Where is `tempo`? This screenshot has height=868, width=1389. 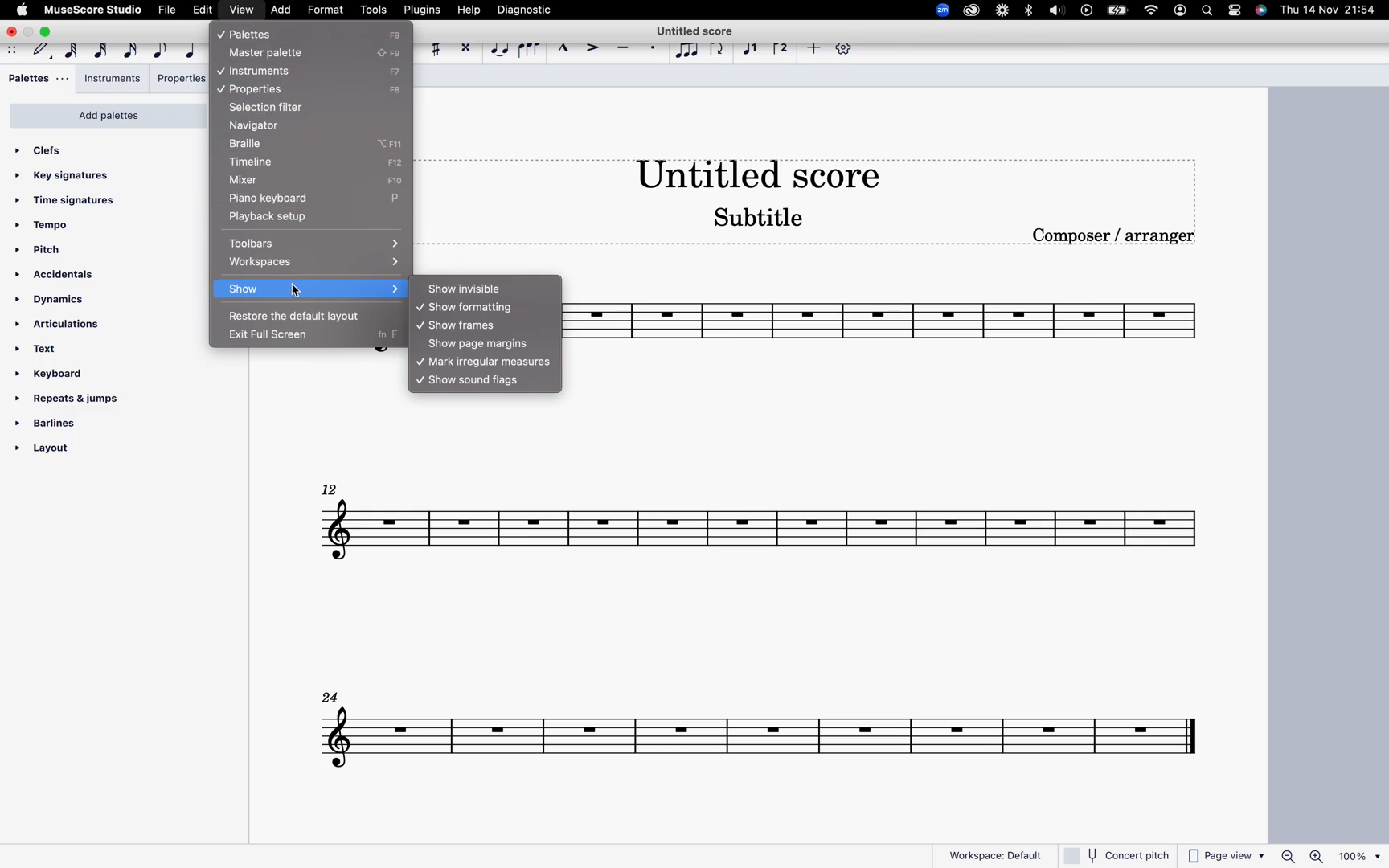
tempo is located at coordinates (49, 226).